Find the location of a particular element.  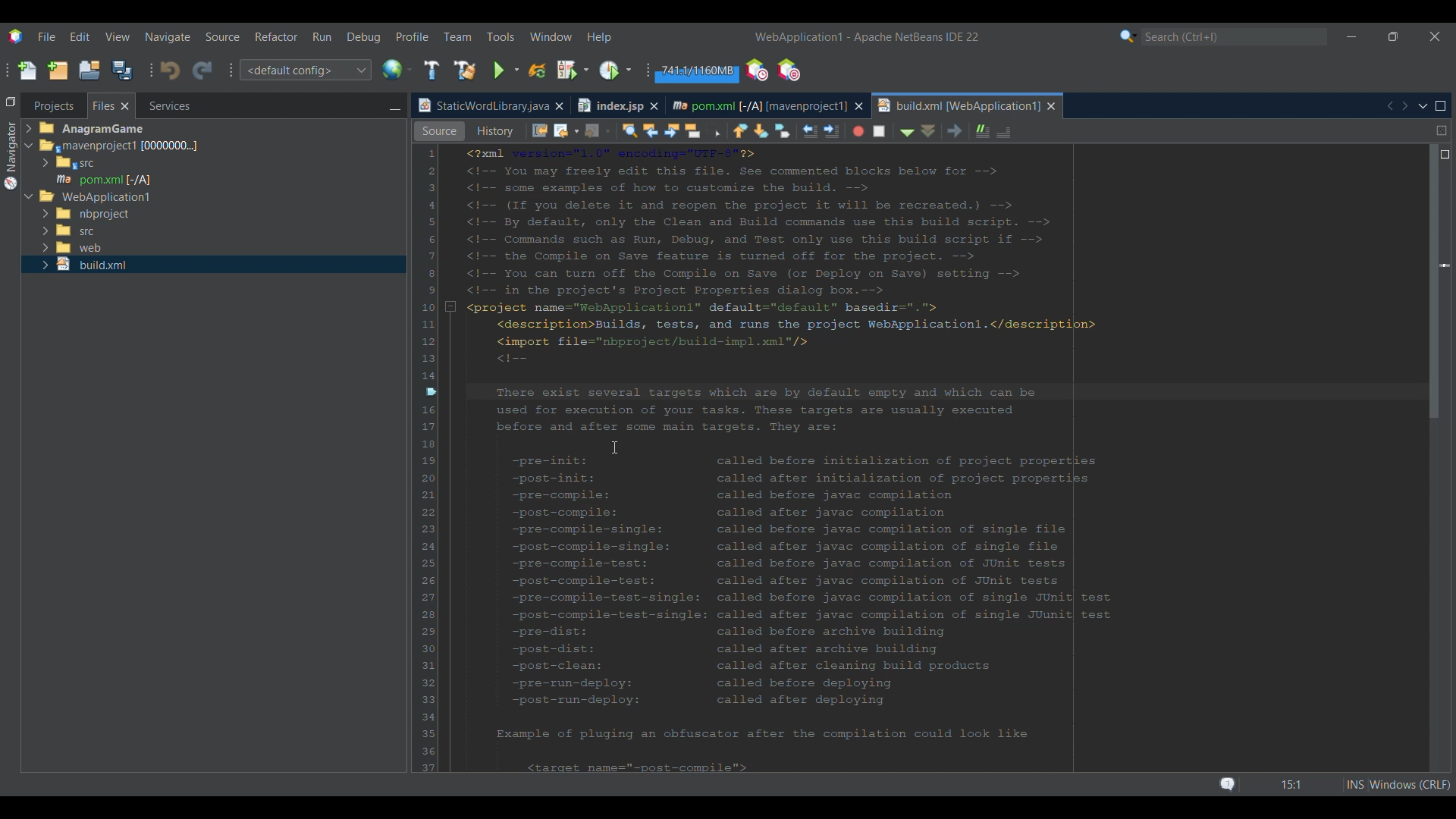

Highlighted by cursor is located at coordinates (504, 409).